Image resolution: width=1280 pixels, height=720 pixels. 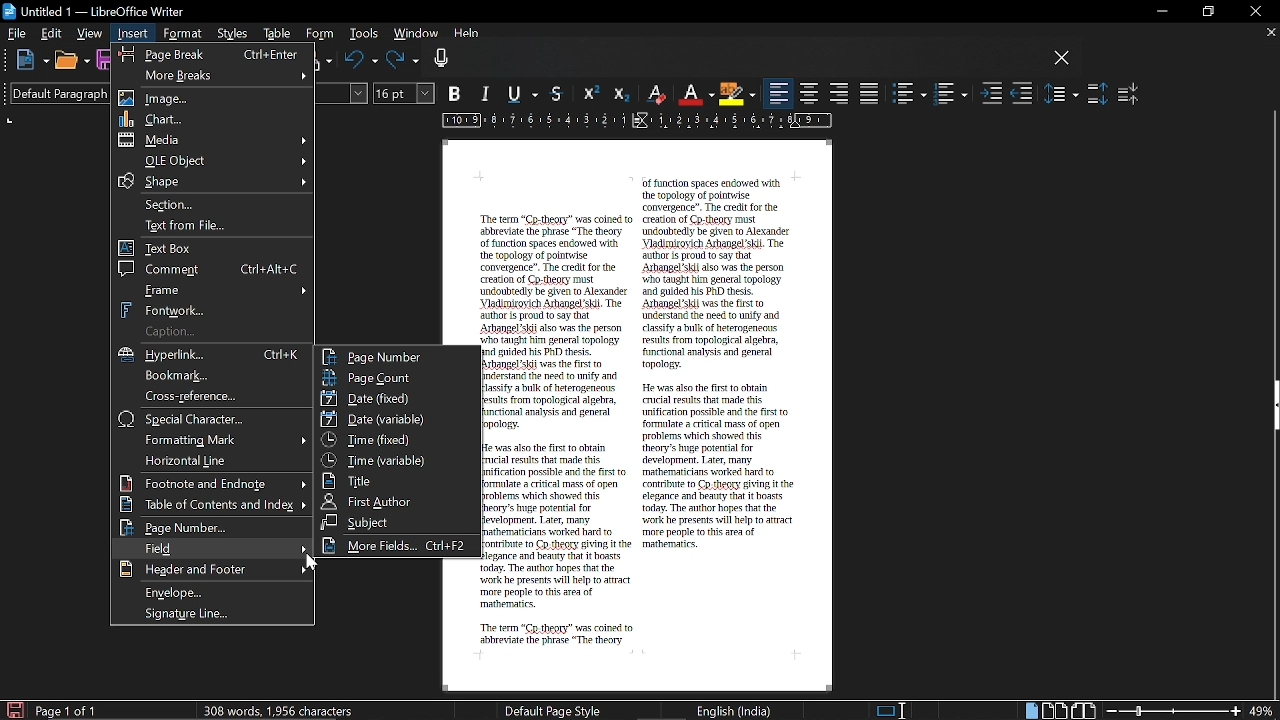 I want to click on Redo, so click(x=403, y=61).